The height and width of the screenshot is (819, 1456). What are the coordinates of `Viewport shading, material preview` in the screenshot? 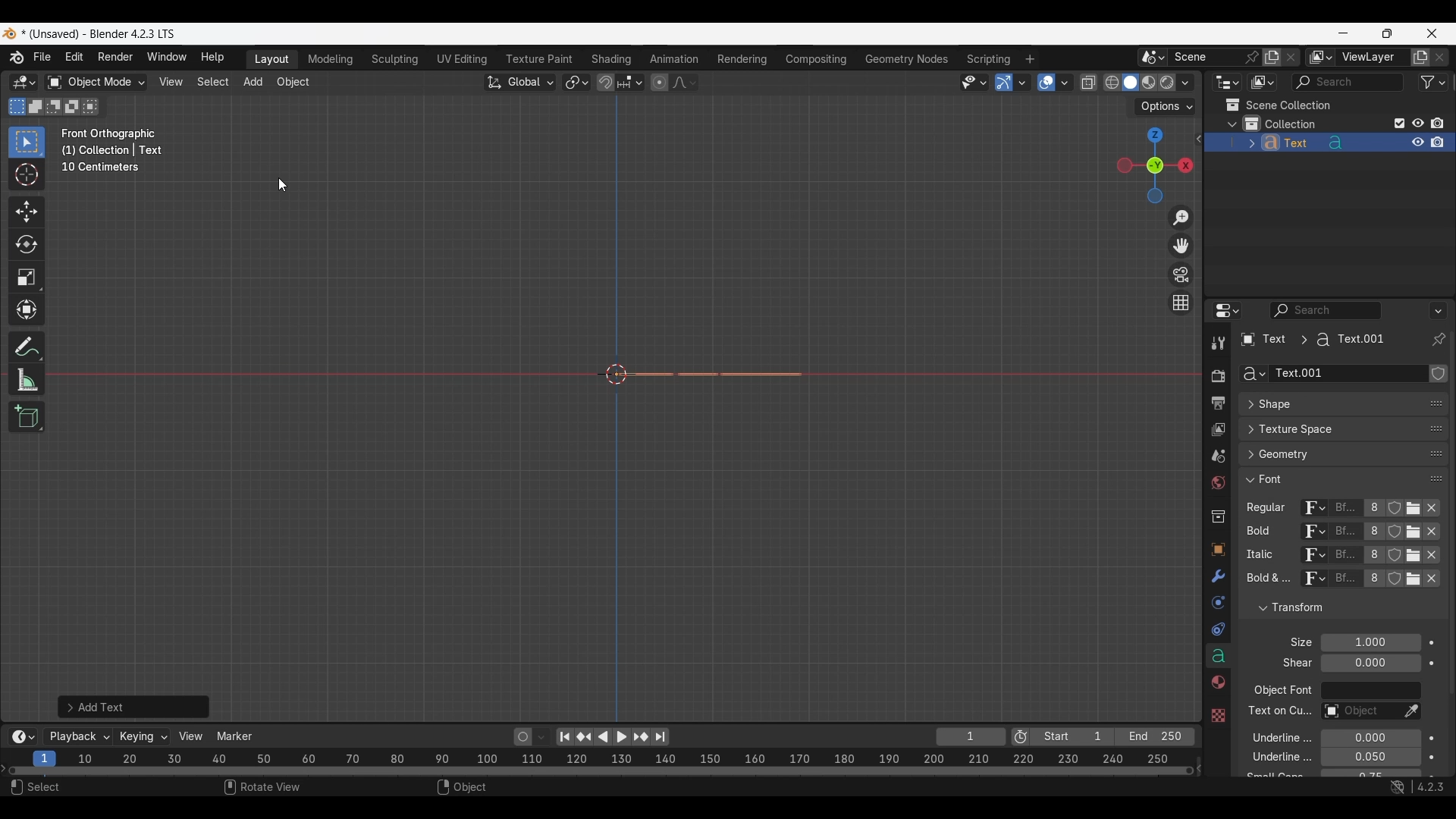 It's located at (1148, 82).